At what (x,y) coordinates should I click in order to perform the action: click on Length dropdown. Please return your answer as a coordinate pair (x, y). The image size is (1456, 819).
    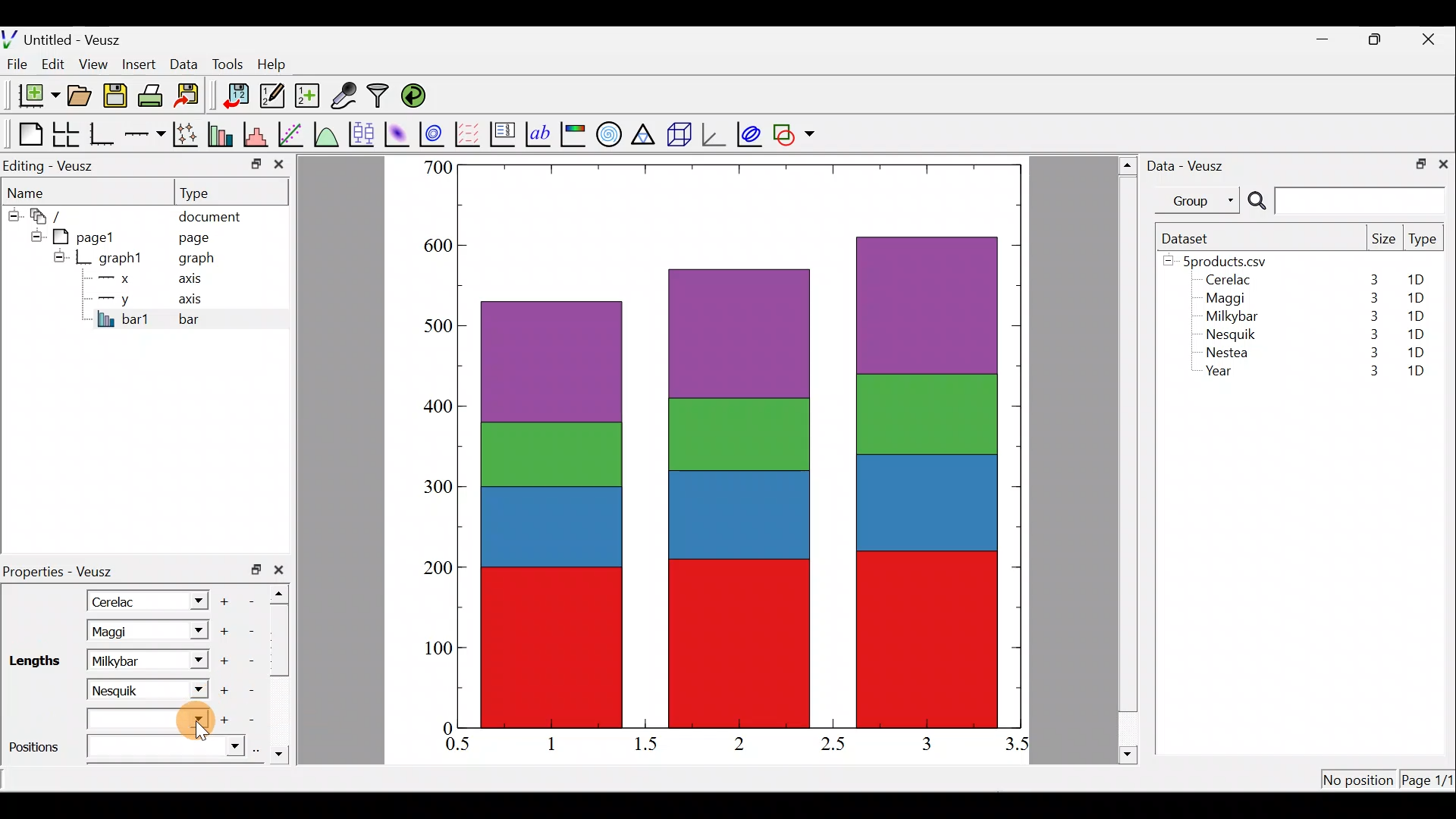
    Looking at the image, I should click on (190, 688).